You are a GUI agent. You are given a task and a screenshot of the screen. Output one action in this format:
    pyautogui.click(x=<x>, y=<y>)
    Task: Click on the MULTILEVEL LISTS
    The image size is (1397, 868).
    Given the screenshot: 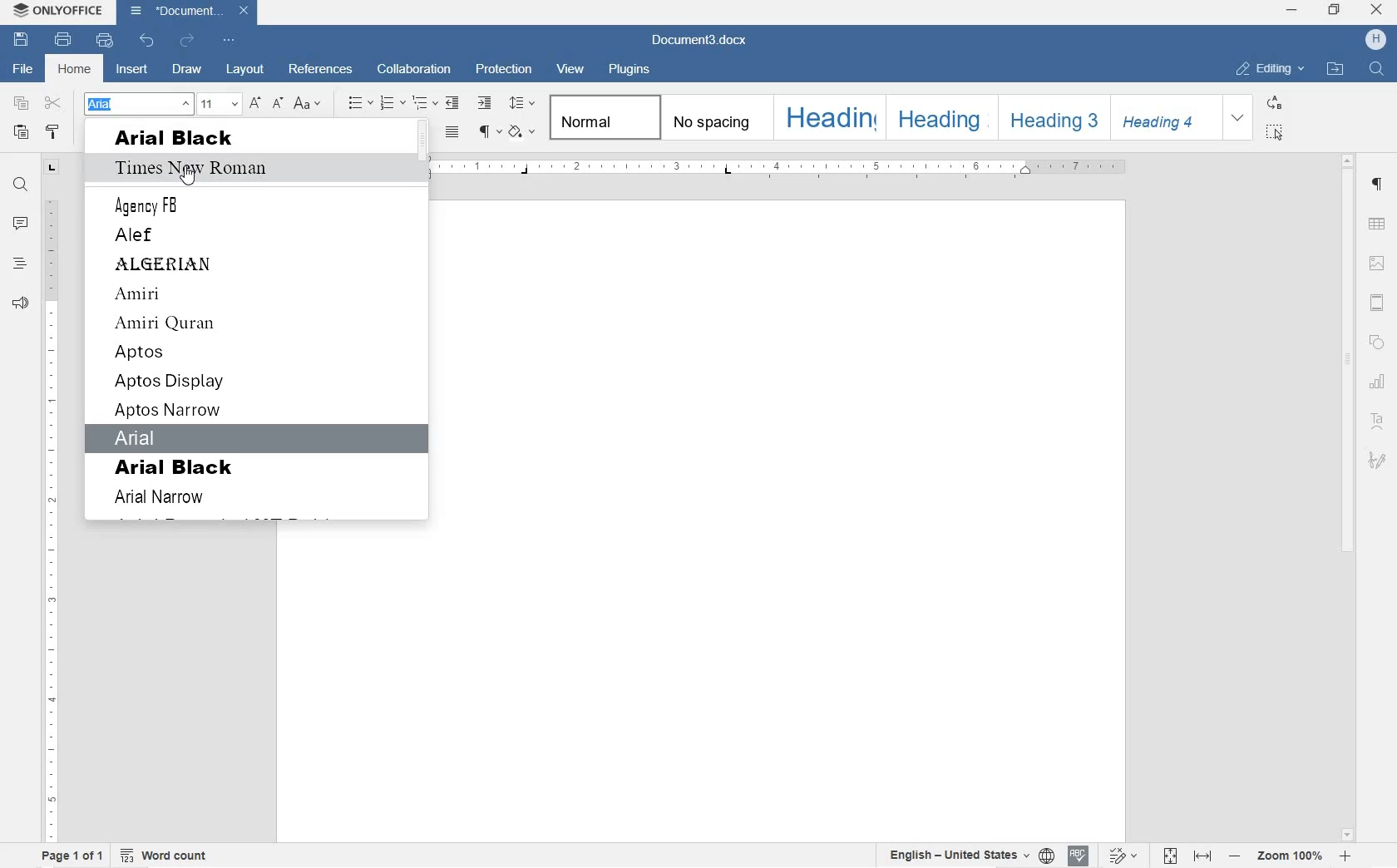 What is the action you would take?
    pyautogui.click(x=422, y=104)
    